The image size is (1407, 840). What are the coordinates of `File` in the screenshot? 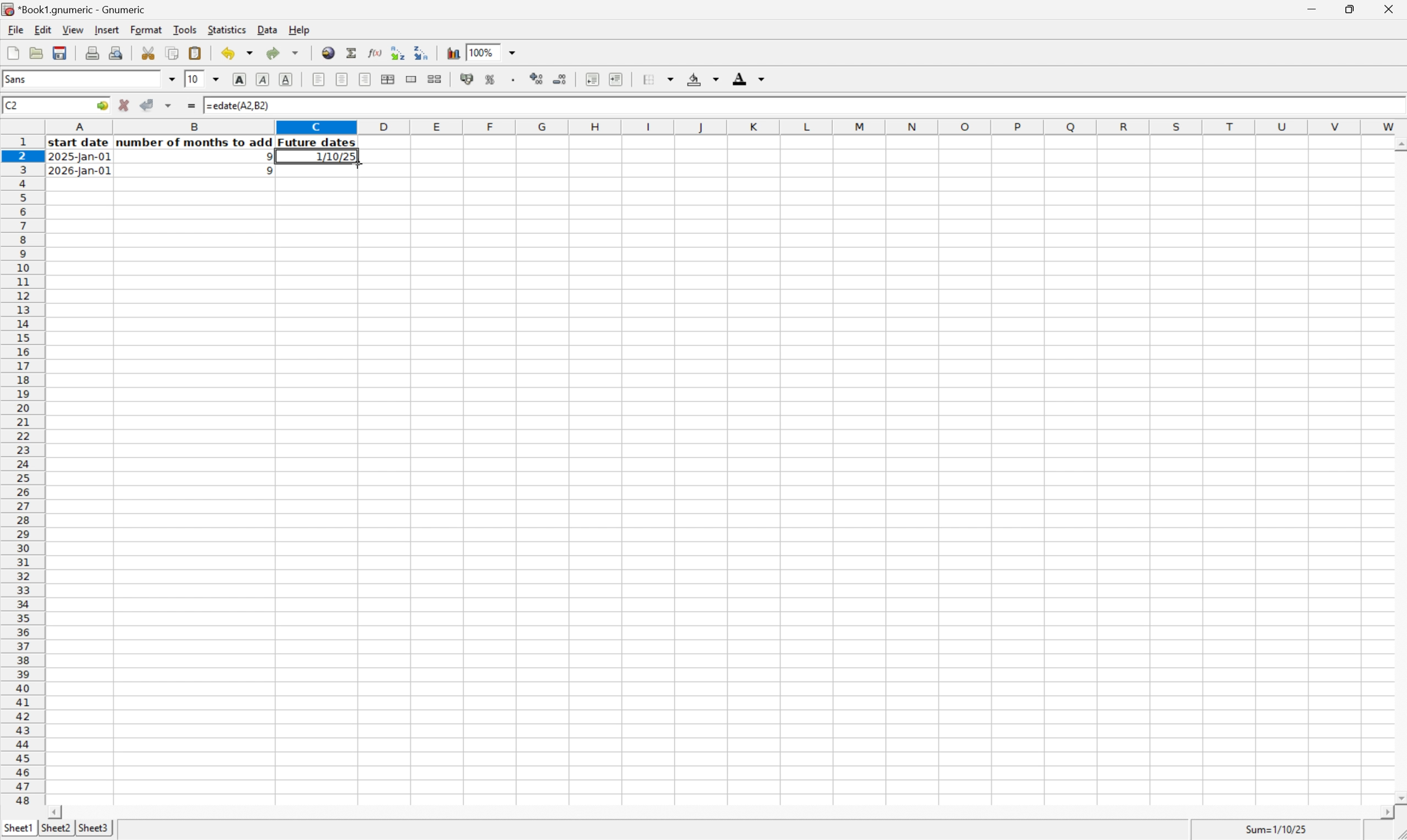 It's located at (16, 29).